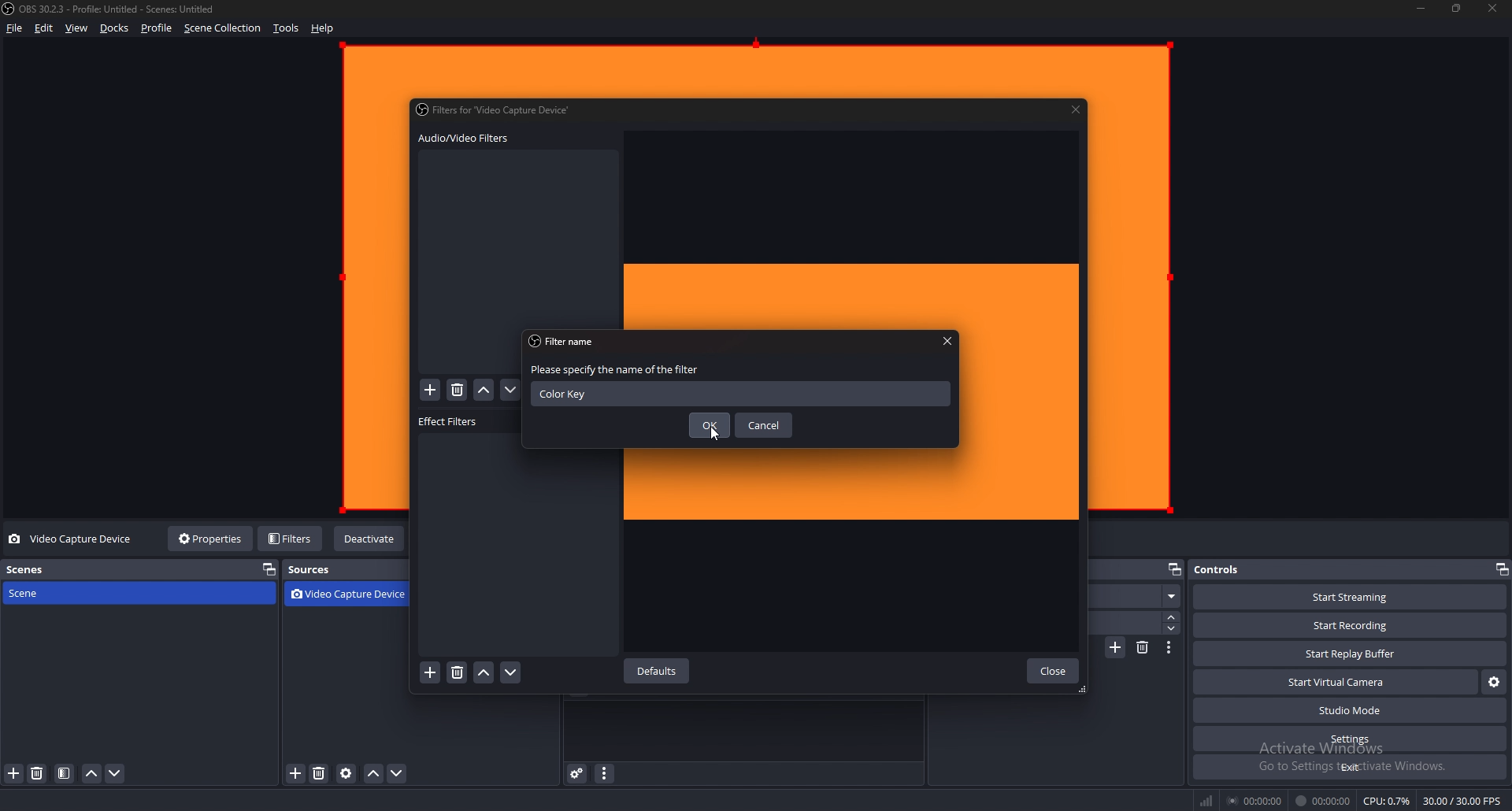 The height and width of the screenshot is (811, 1512). Describe the element at coordinates (39, 774) in the screenshot. I see `remove scene` at that location.